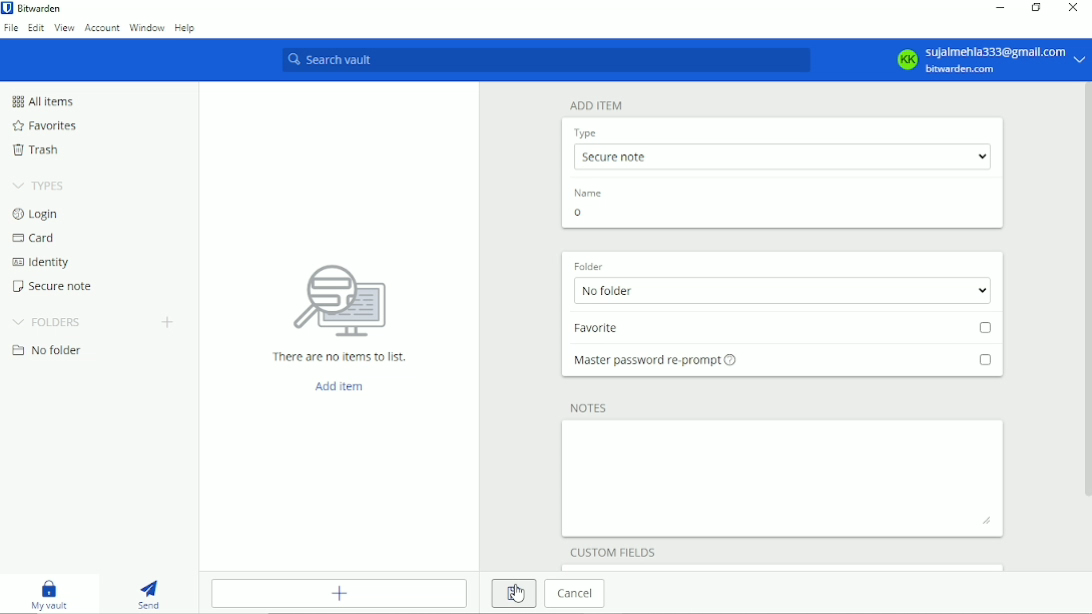 This screenshot has height=614, width=1092. I want to click on Secure note, so click(54, 286).